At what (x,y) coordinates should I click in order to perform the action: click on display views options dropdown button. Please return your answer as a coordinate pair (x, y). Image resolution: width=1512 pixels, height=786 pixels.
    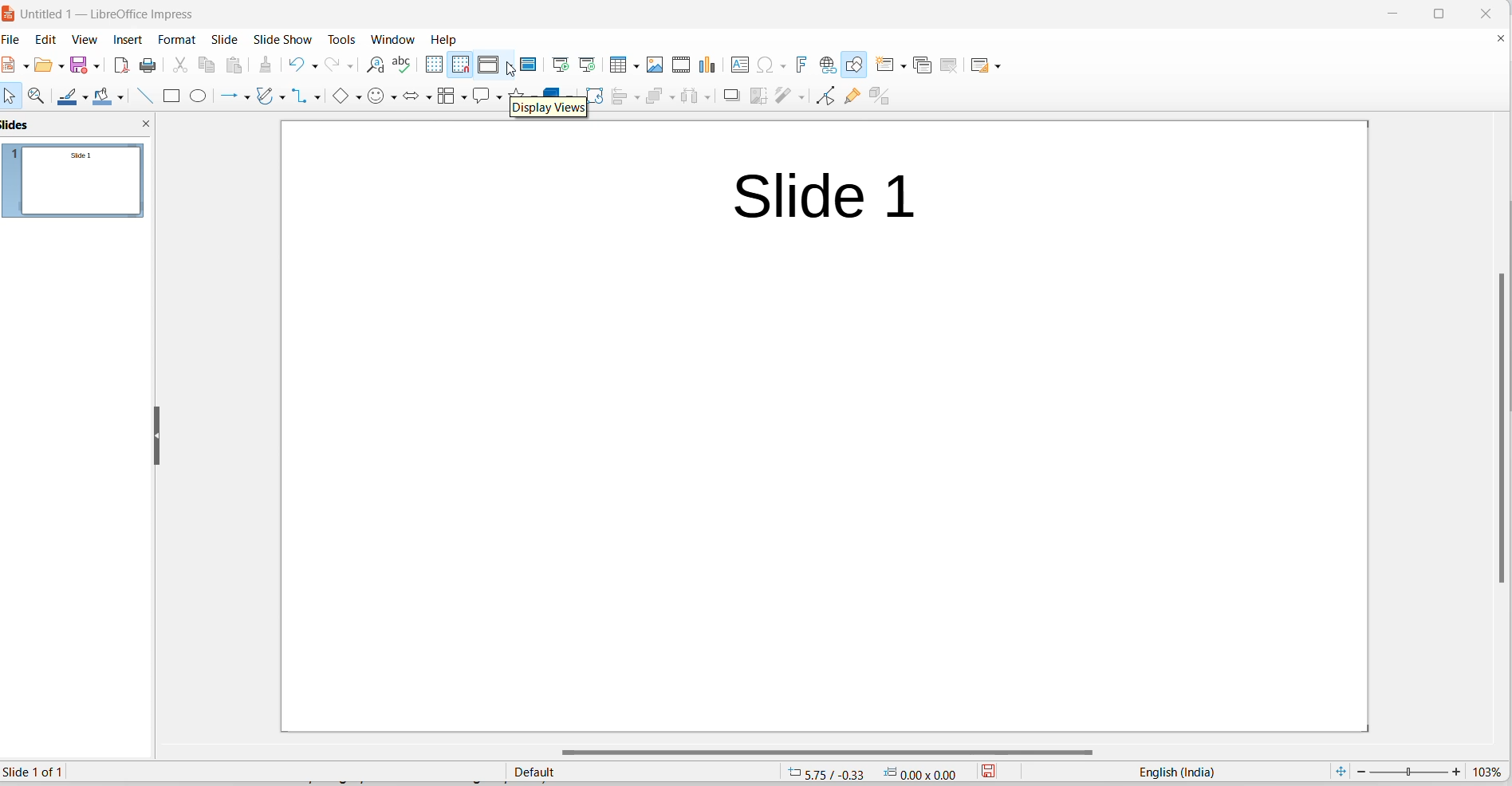
    Looking at the image, I should click on (512, 65).